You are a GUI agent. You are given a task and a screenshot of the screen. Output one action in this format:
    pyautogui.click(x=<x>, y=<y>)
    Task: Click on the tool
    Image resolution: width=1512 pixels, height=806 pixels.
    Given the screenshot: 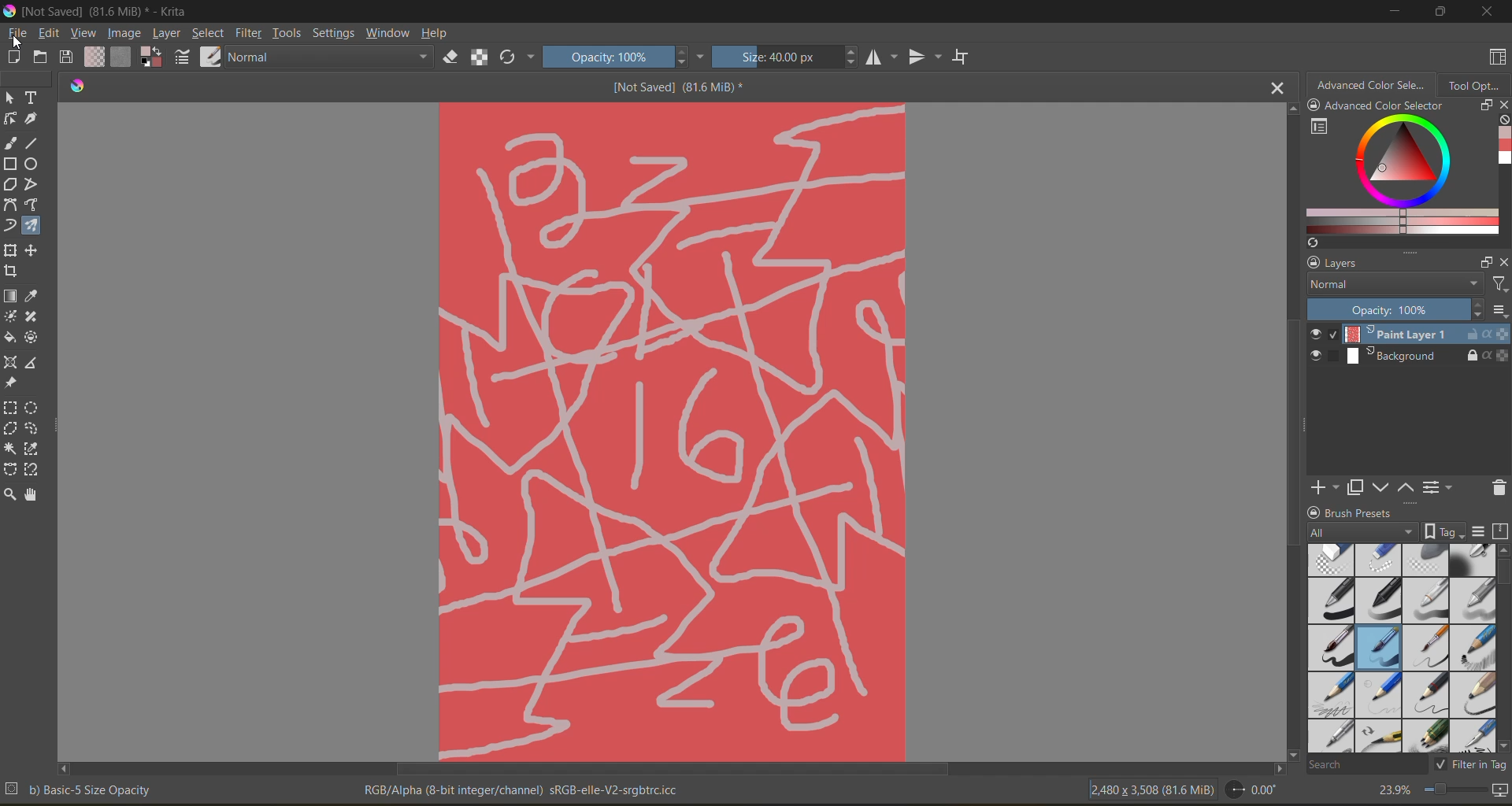 What is the action you would take?
    pyautogui.click(x=31, y=449)
    